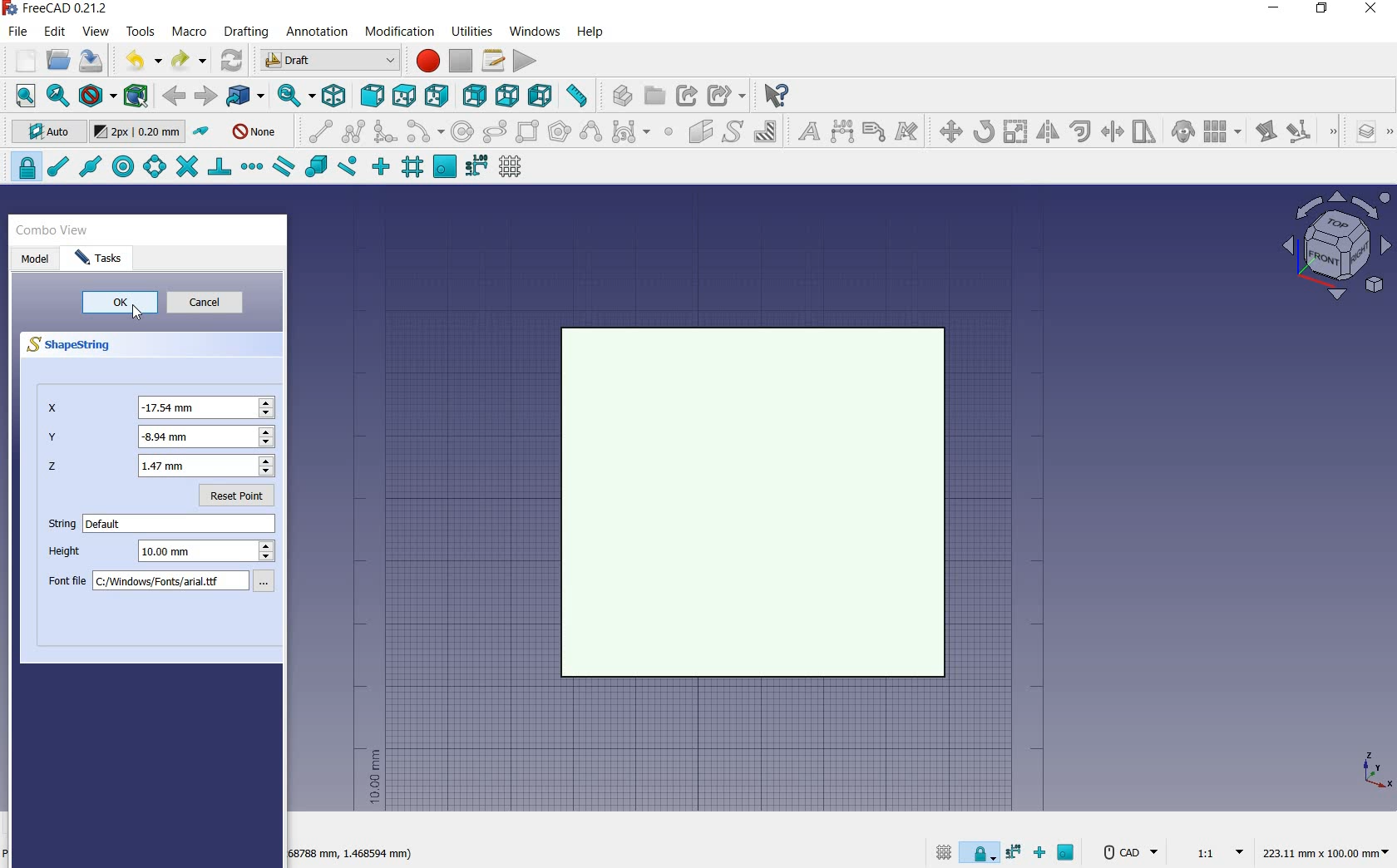  Describe the element at coordinates (1068, 855) in the screenshot. I see `snap working plane` at that location.